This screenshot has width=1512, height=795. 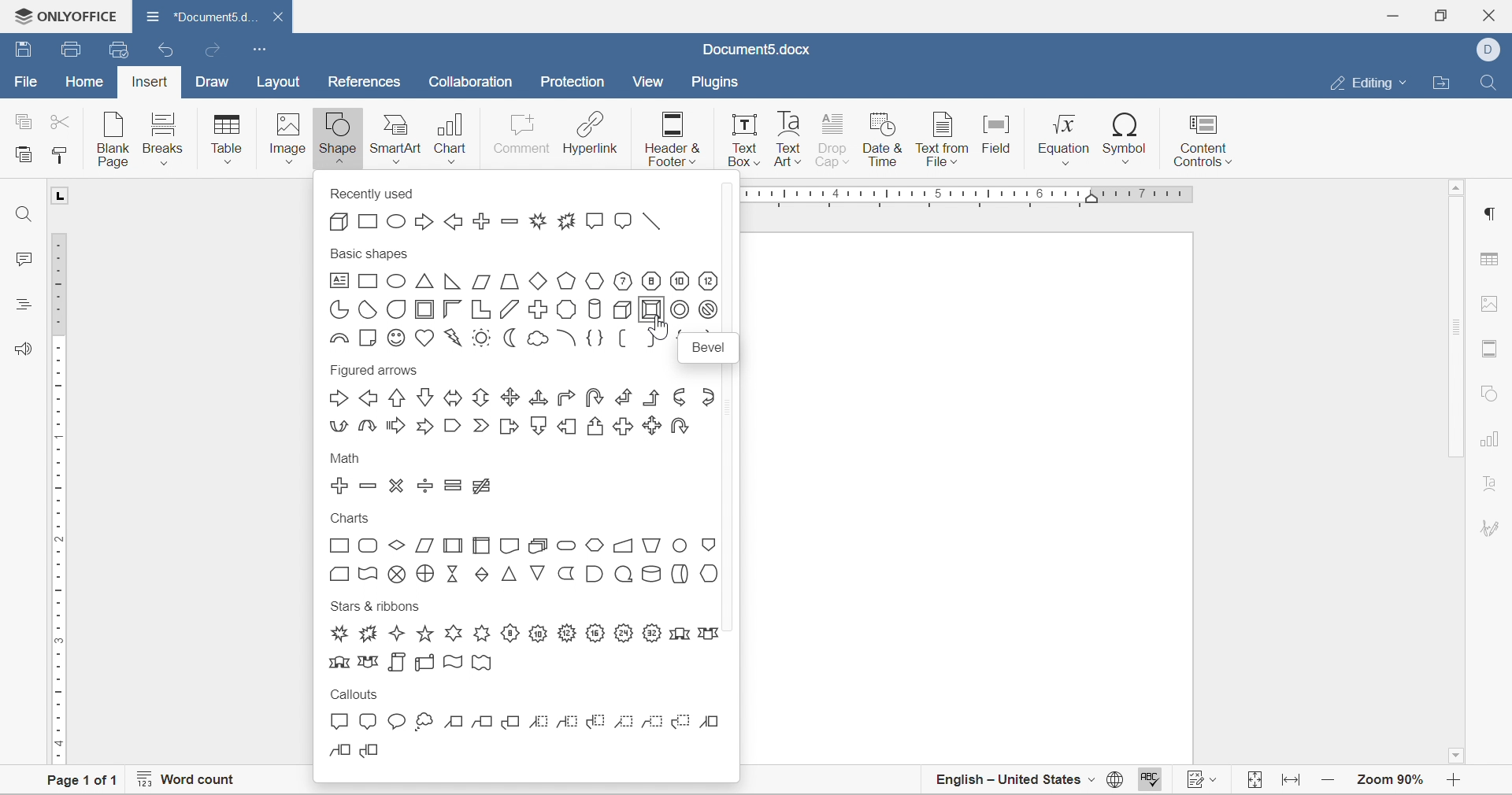 What do you see at coordinates (1491, 390) in the screenshot?
I see `shape settigns` at bounding box center [1491, 390].